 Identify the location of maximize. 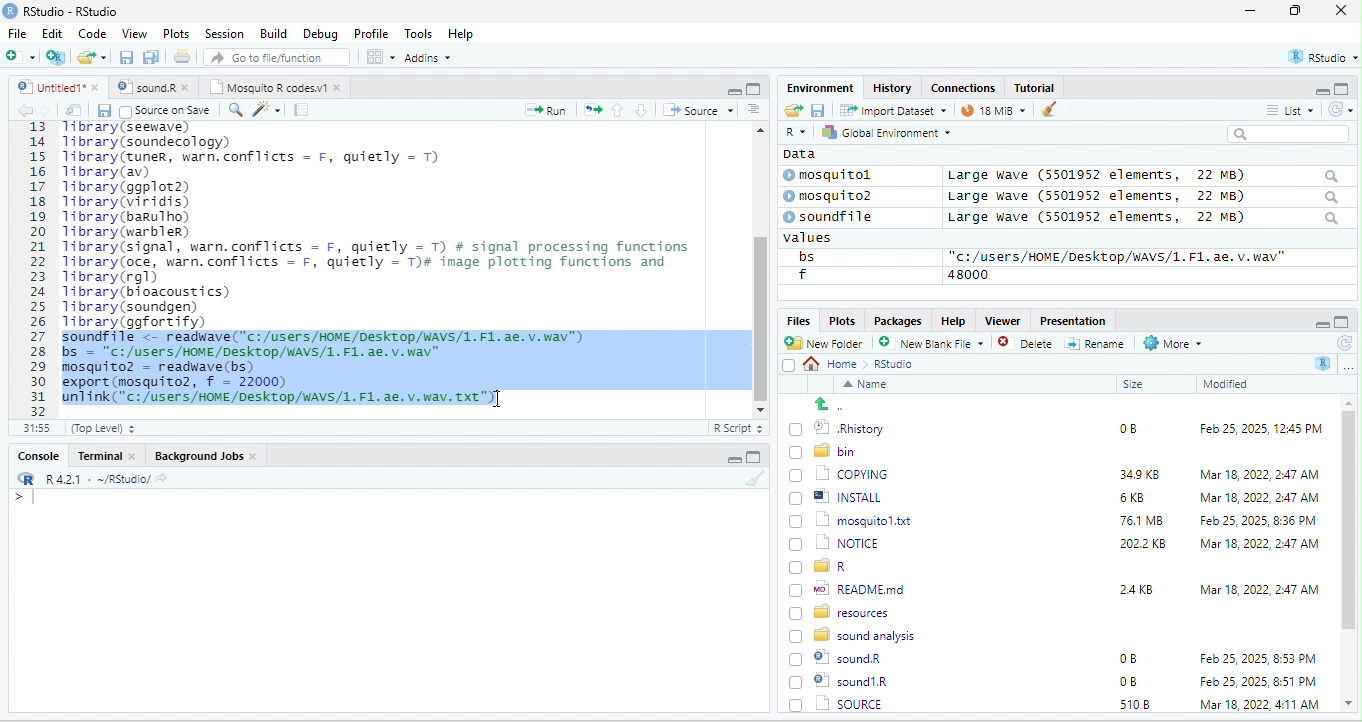
(753, 88).